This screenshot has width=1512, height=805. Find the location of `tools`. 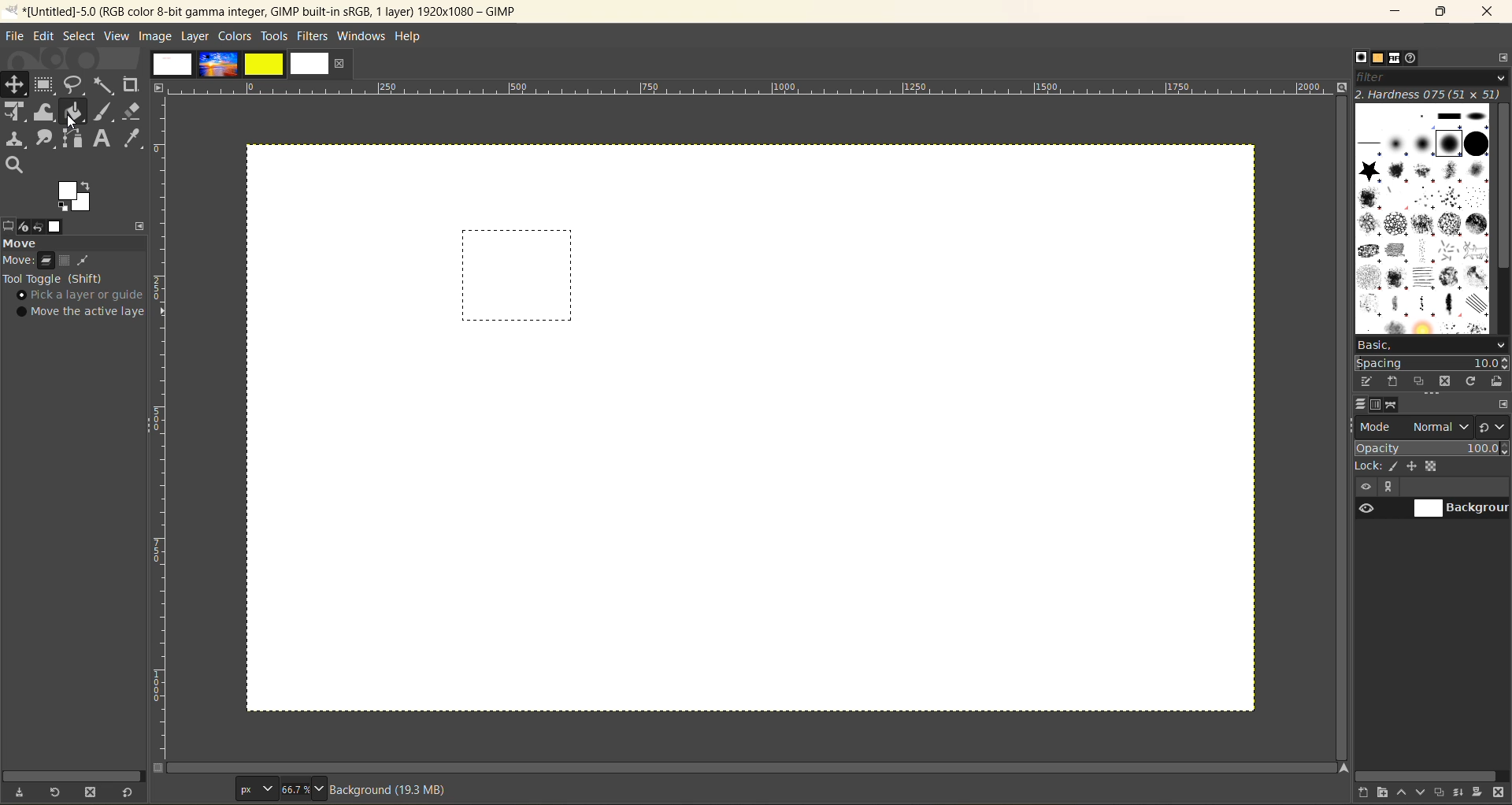

tools is located at coordinates (72, 123).